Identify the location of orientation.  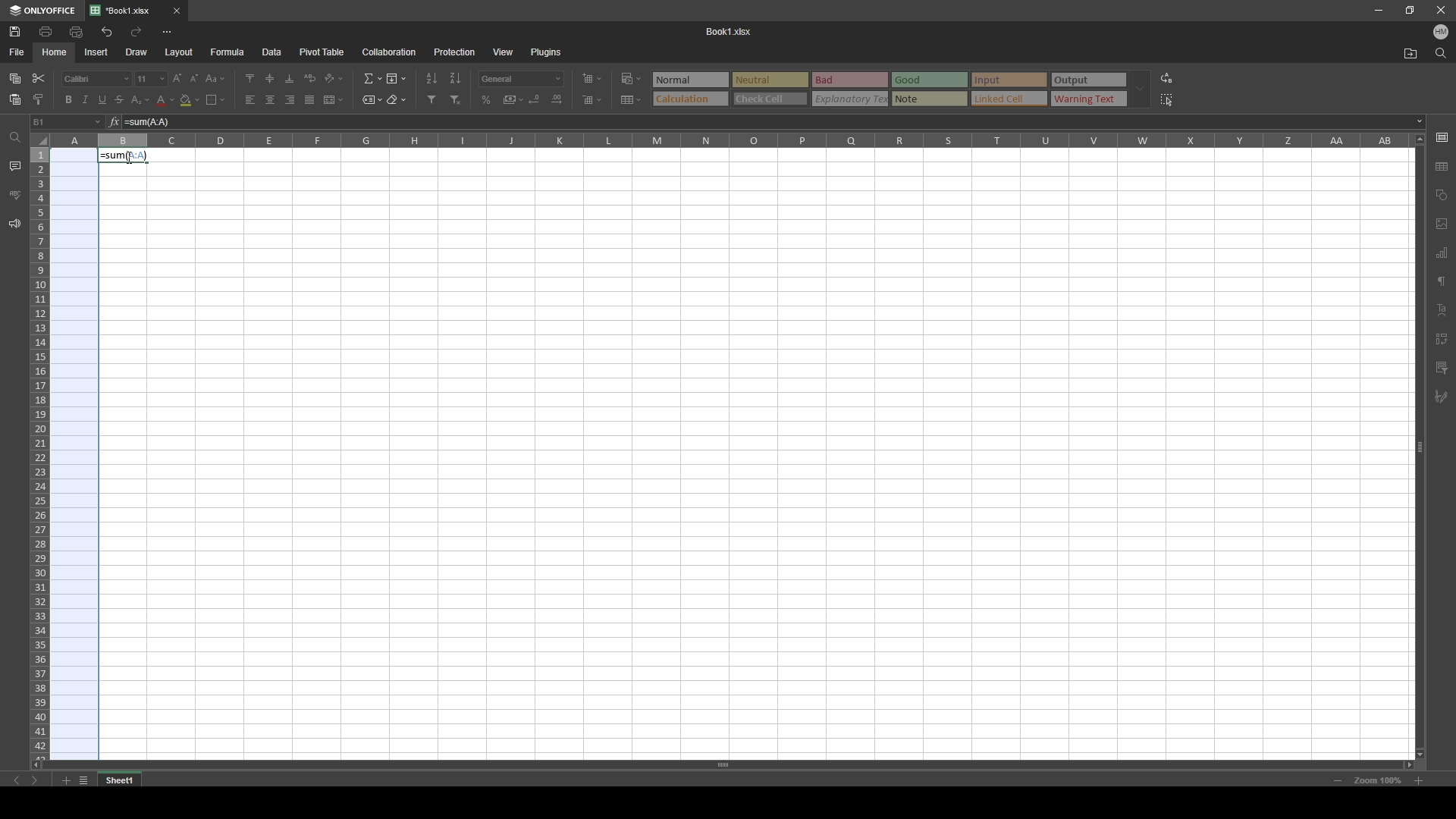
(335, 78).